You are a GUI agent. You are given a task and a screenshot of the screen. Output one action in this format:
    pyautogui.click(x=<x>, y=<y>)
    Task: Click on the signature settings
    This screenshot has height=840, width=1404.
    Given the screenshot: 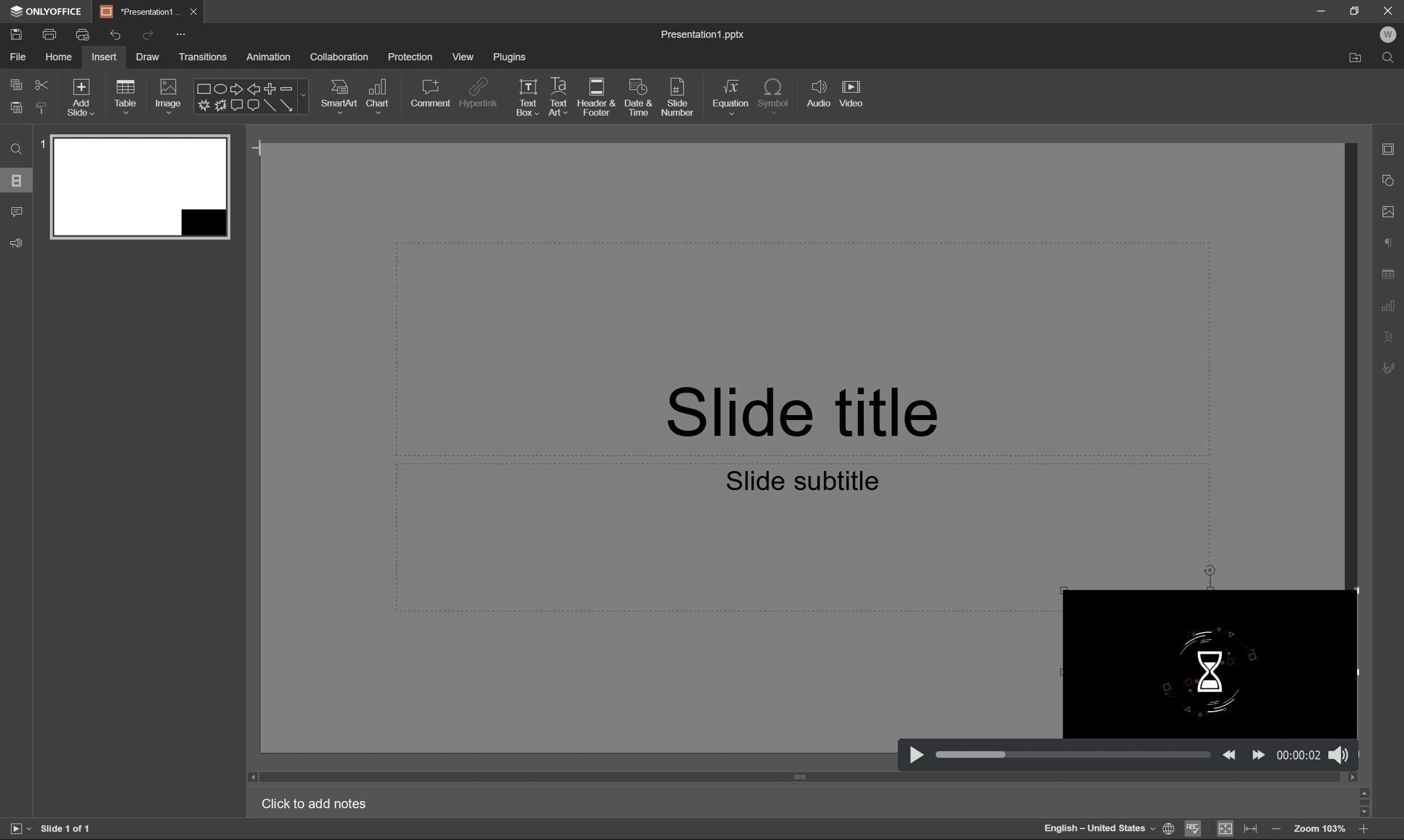 What is the action you would take?
    pyautogui.click(x=1391, y=368)
    